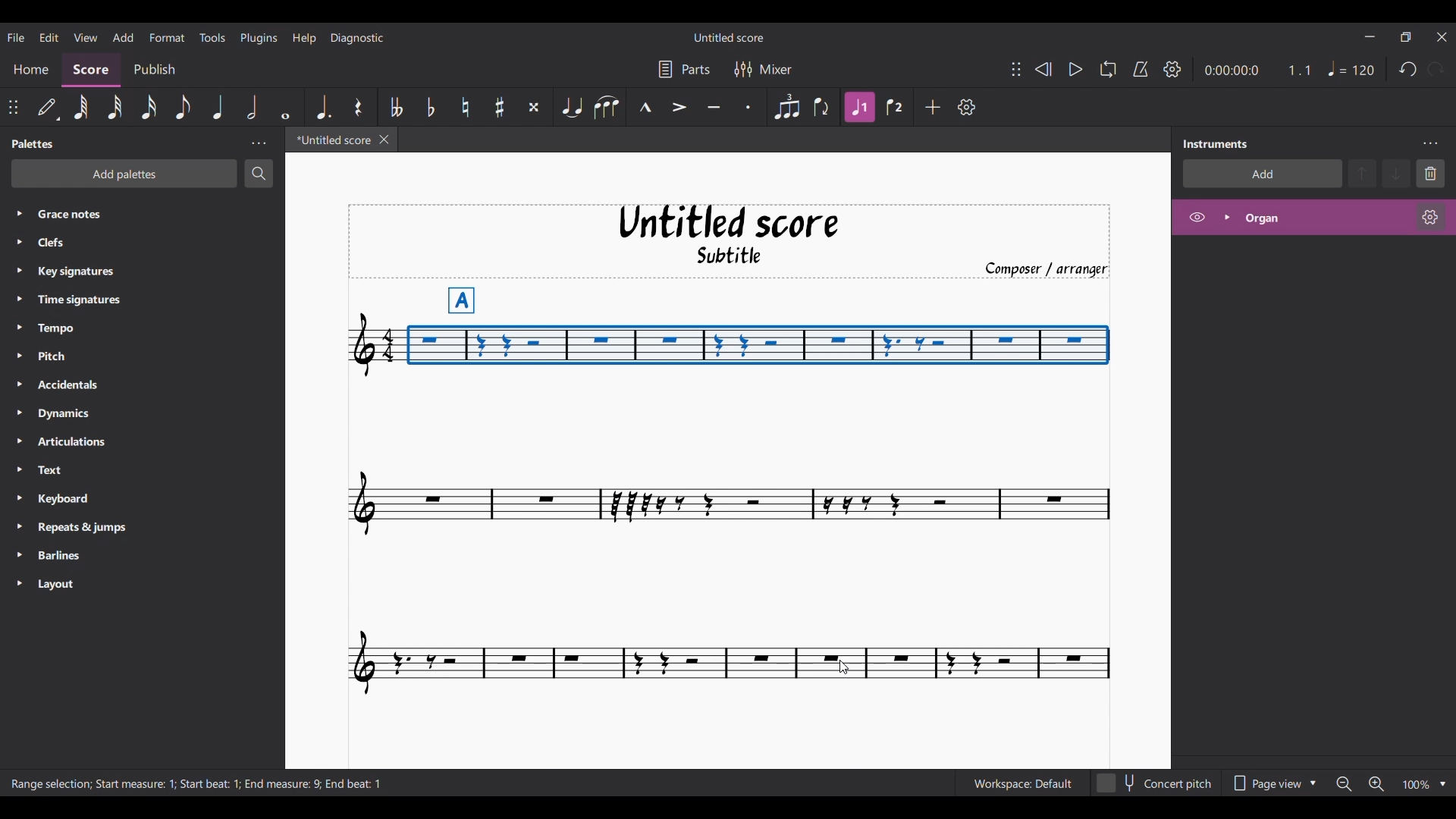 This screenshot has height=819, width=1456. Describe the element at coordinates (729, 222) in the screenshot. I see `Untitled score` at that location.